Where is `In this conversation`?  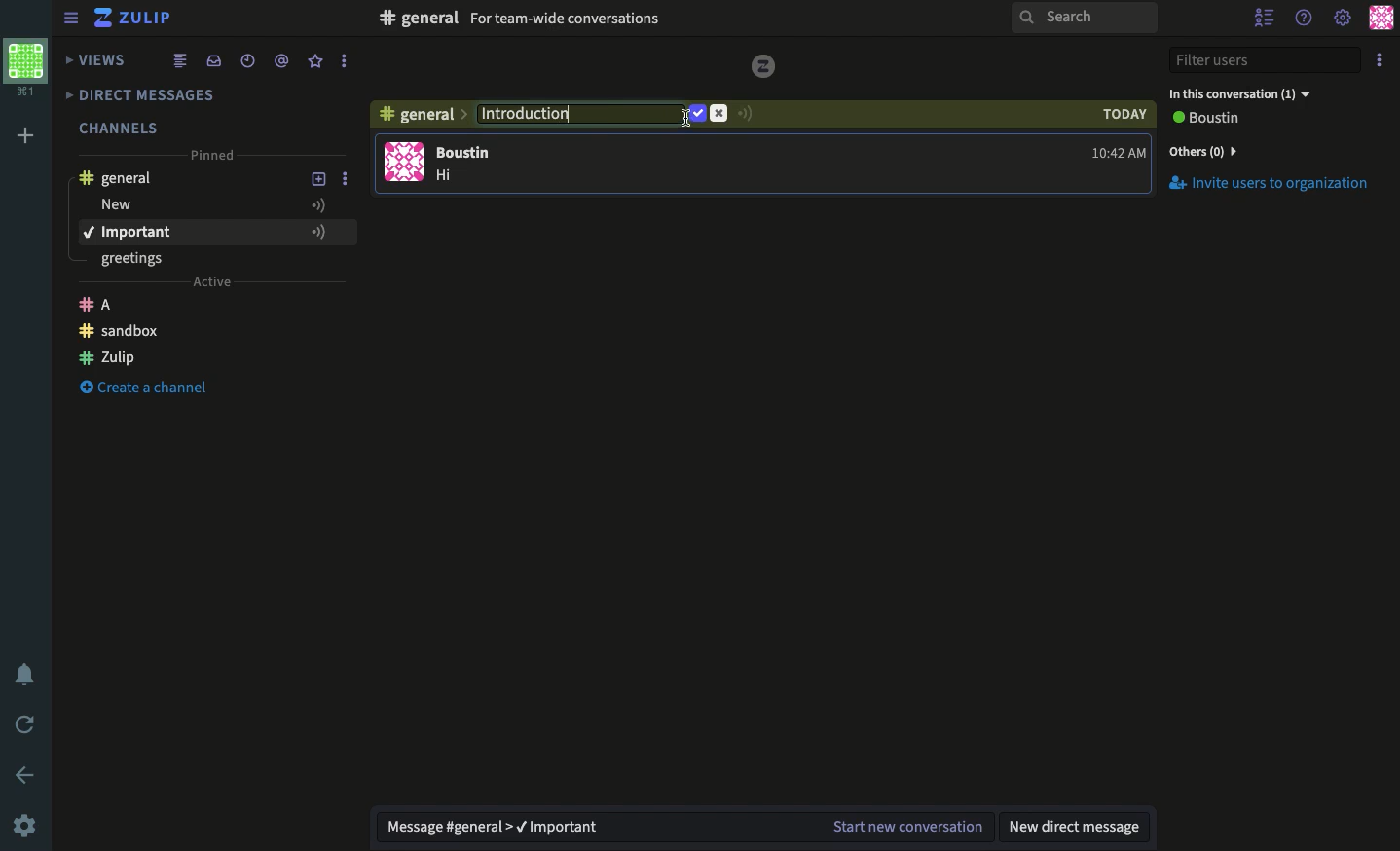
In this conversation is located at coordinates (1241, 92).